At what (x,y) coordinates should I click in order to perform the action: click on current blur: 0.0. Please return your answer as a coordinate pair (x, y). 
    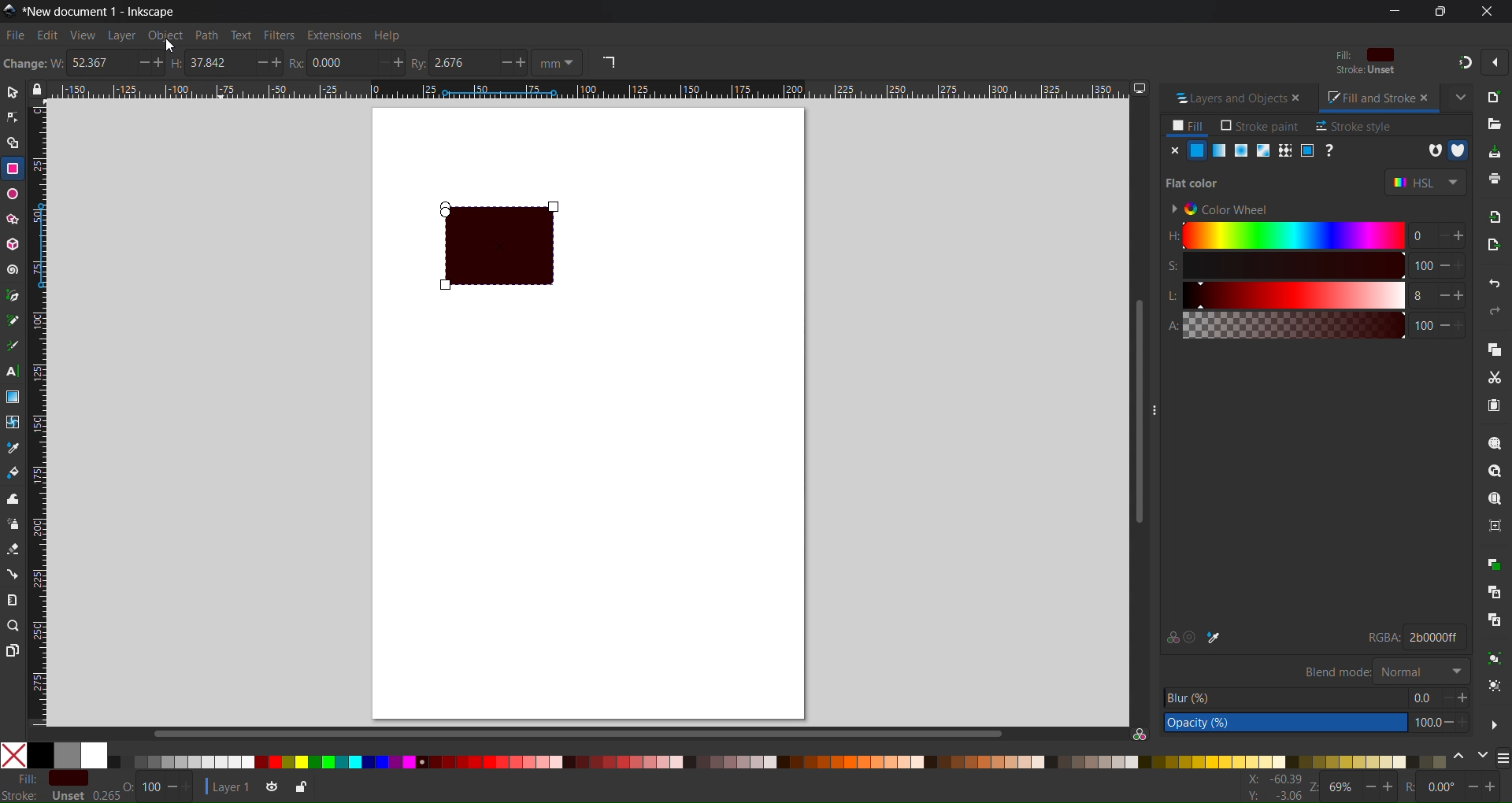
    Looking at the image, I should click on (1421, 697).